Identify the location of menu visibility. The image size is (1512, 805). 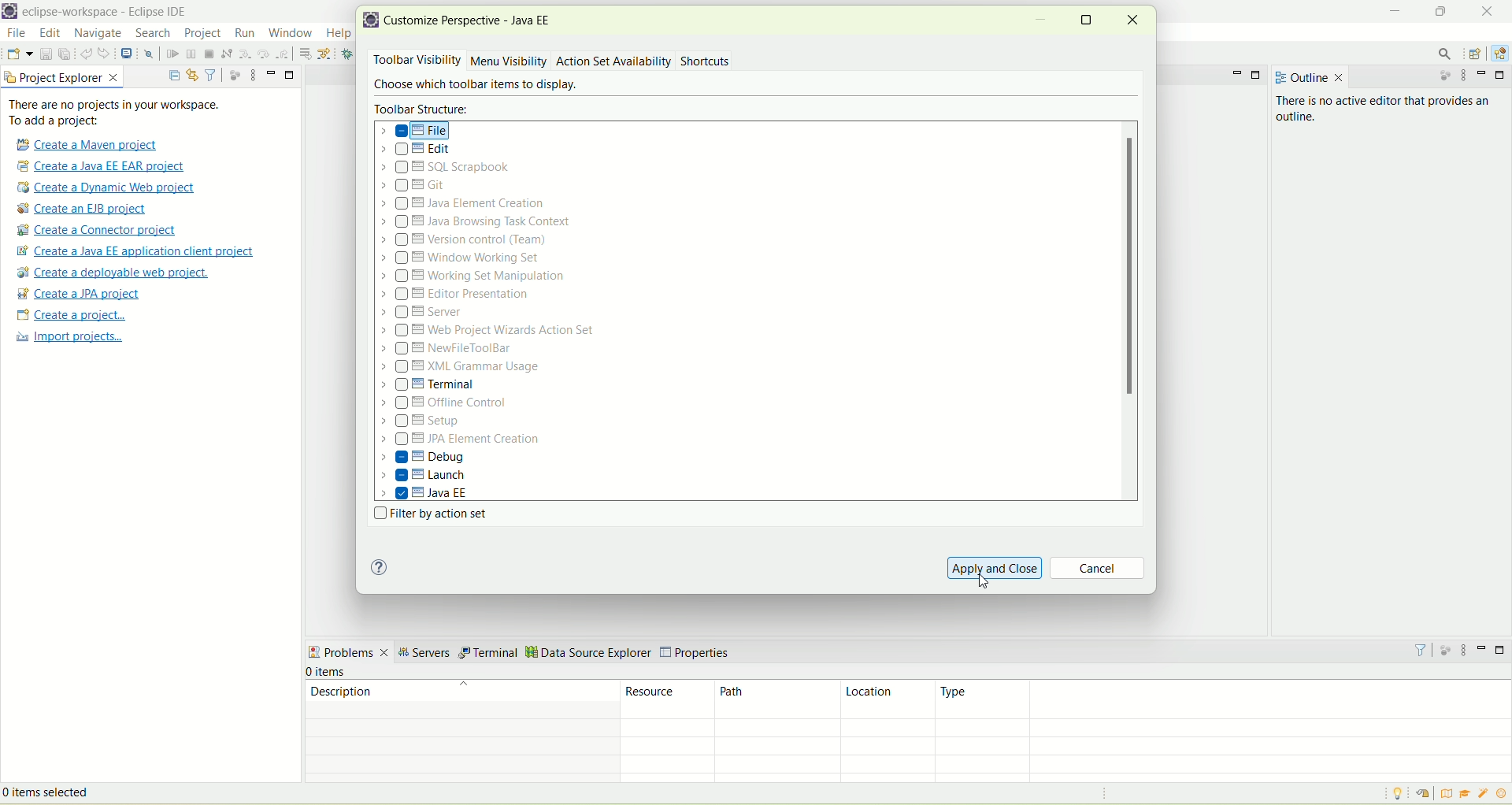
(509, 62).